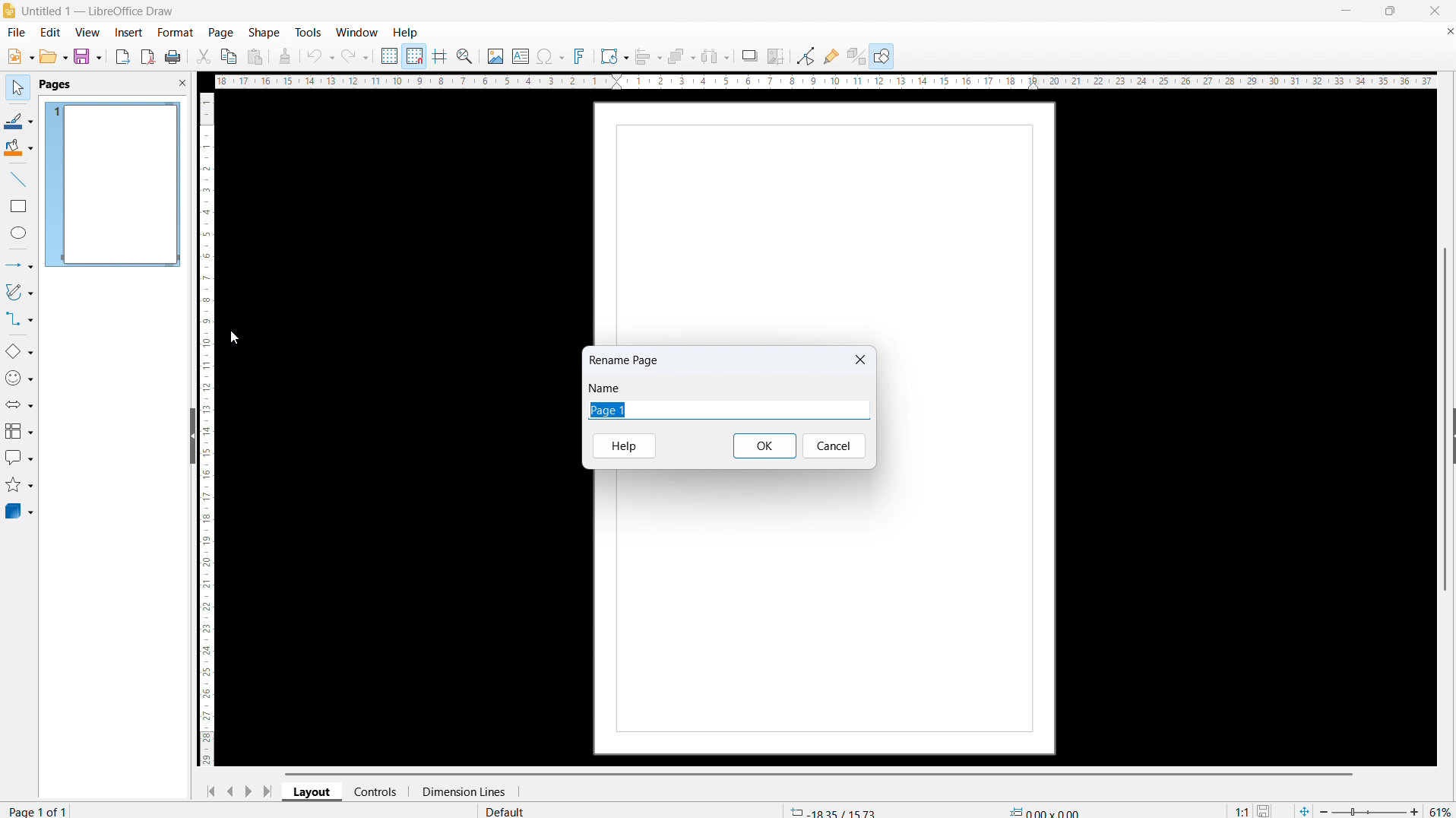 The width and height of the screenshot is (1456, 818). What do you see at coordinates (19, 352) in the screenshot?
I see `basic shapes` at bounding box center [19, 352].